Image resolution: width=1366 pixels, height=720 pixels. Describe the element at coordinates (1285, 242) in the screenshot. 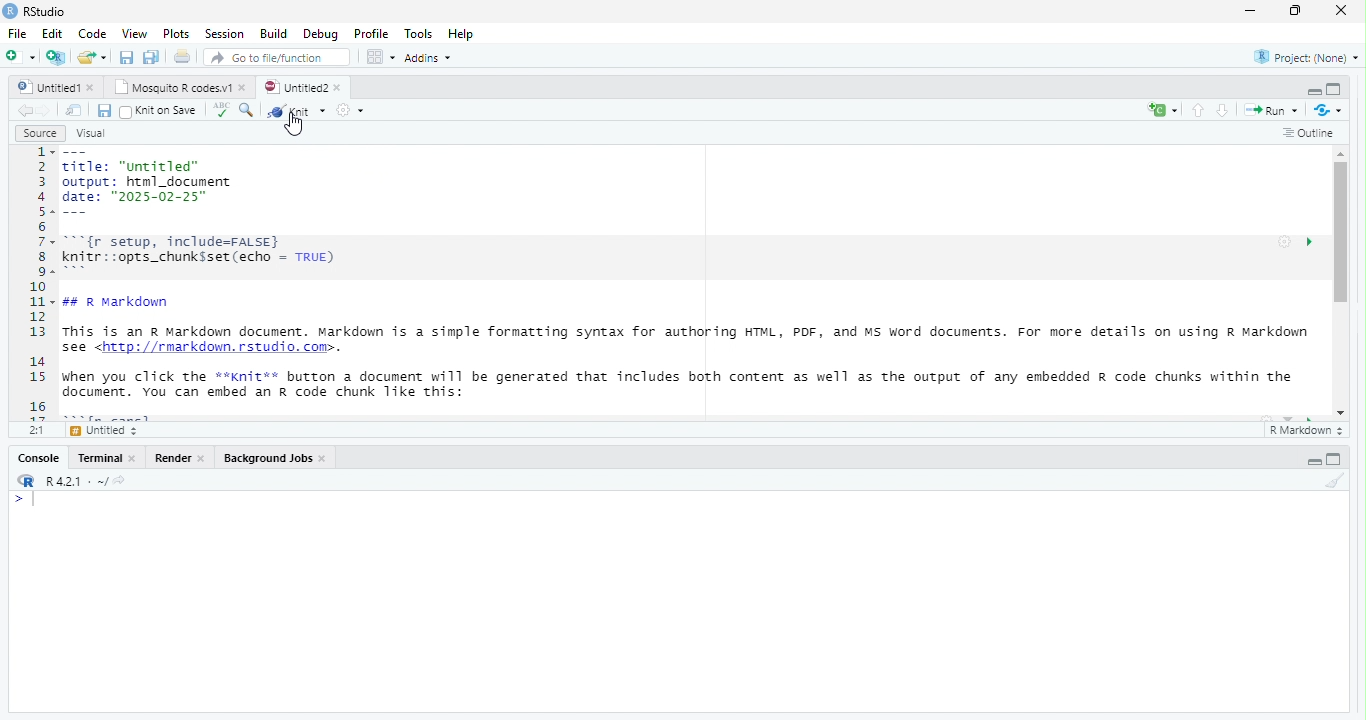

I see `Settings` at that location.